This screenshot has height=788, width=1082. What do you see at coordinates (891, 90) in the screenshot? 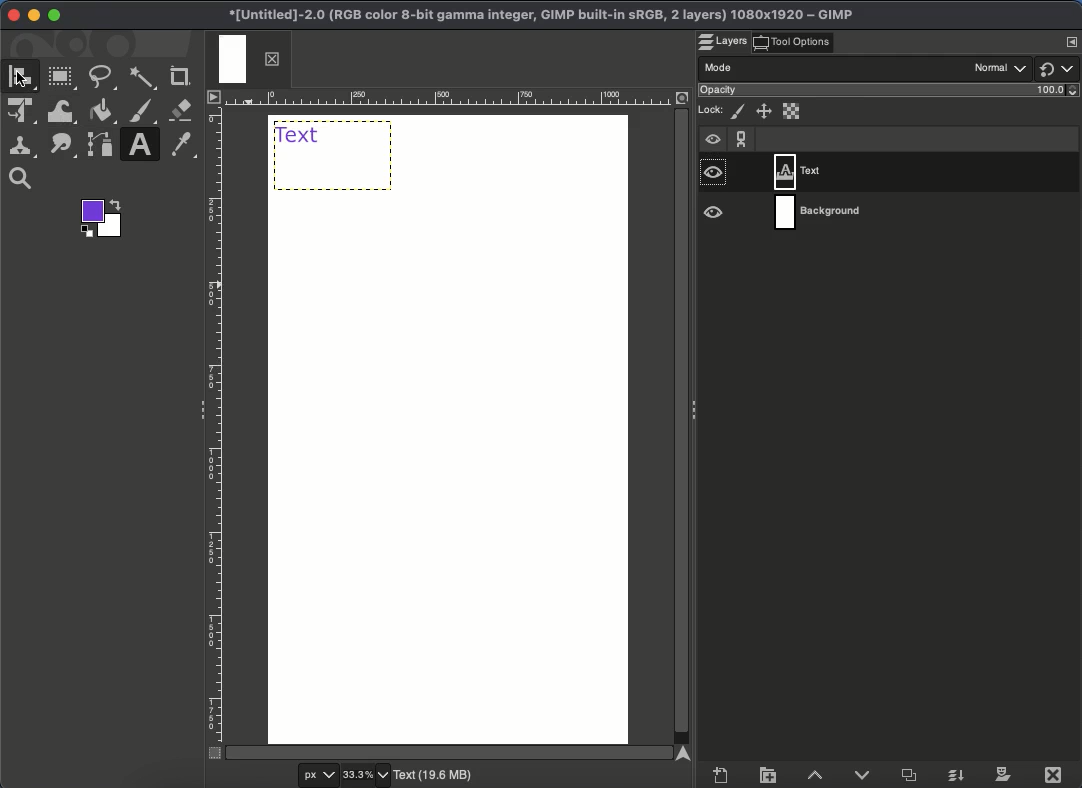
I see `Opacity` at bounding box center [891, 90].